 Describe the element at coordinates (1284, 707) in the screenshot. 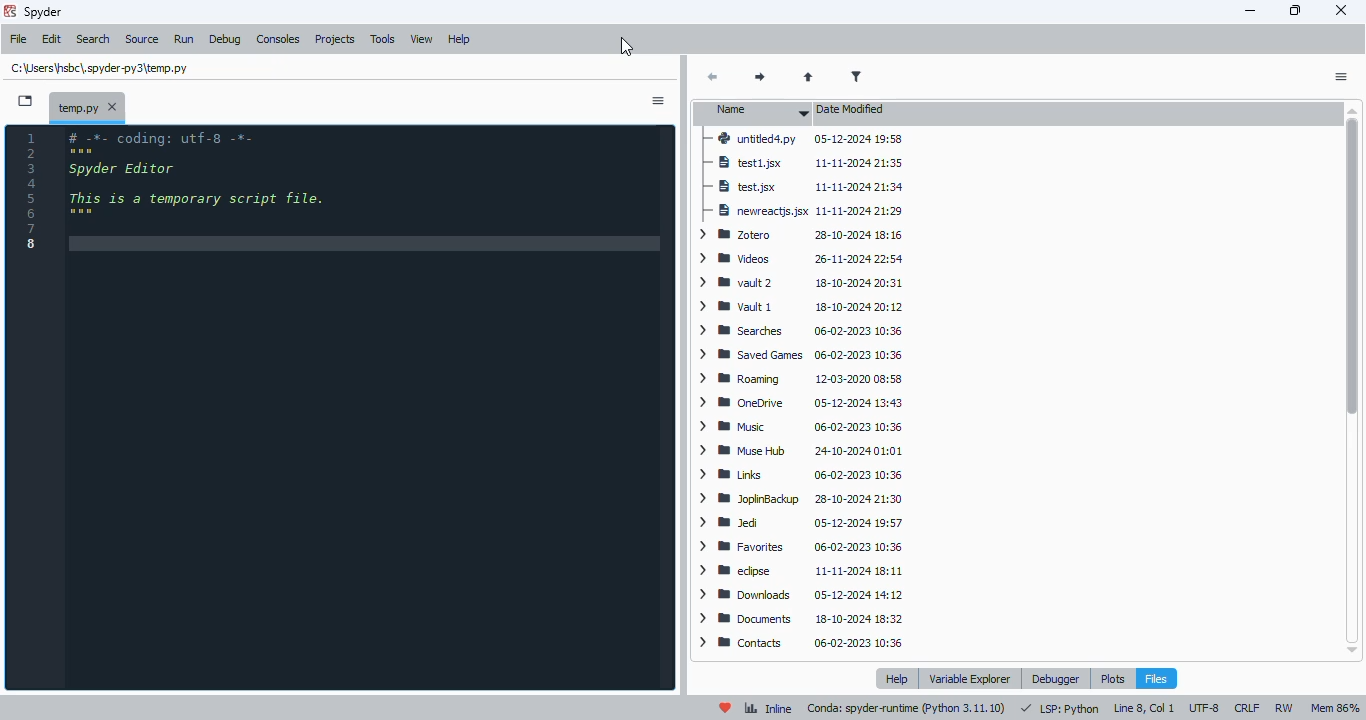

I see `RW` at that location.